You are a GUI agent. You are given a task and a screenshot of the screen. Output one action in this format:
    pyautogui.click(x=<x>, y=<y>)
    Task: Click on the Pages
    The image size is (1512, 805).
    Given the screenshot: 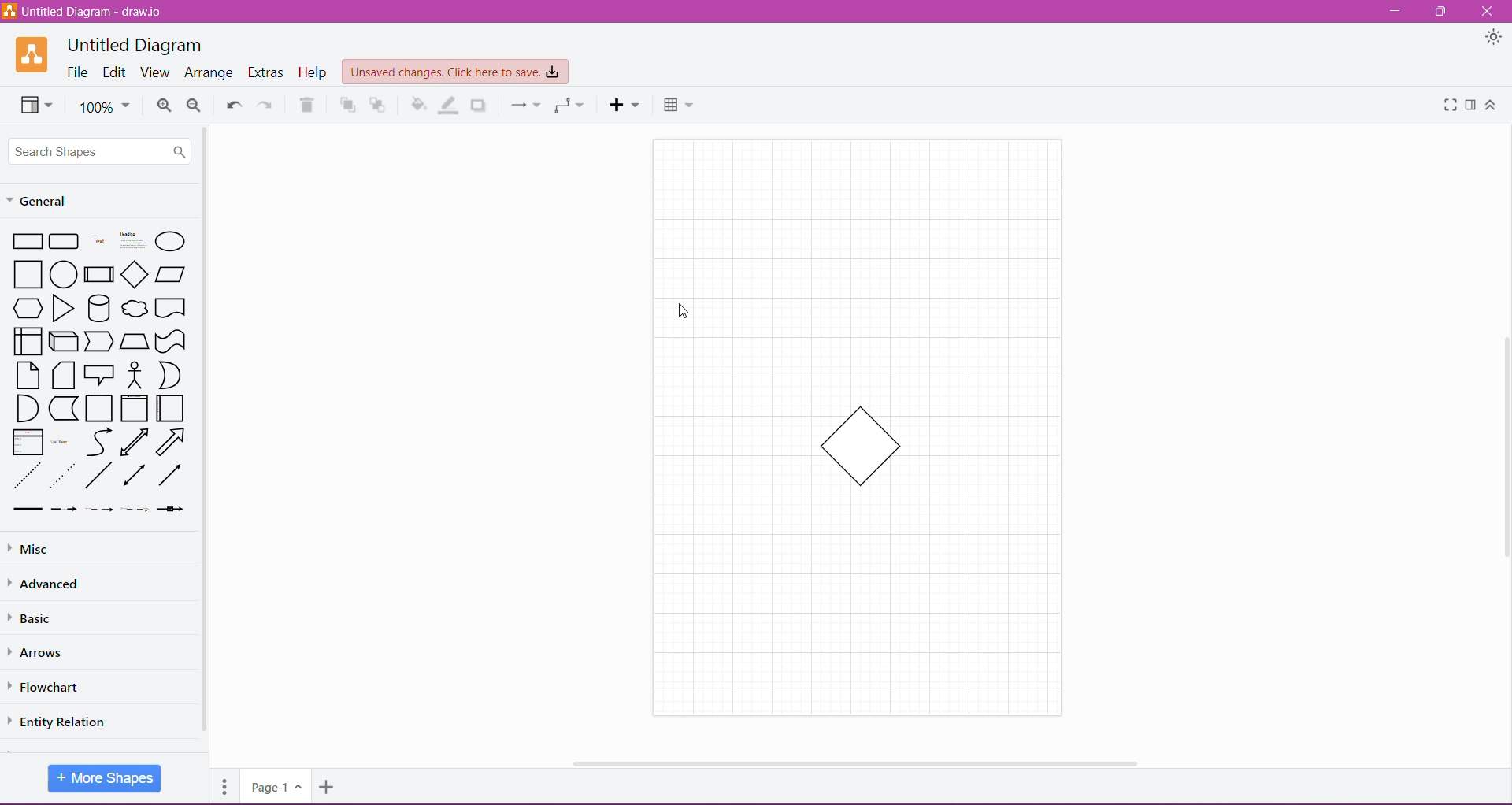 What is the action you would take?
    pyautogui.click(x=225, y=785)
    